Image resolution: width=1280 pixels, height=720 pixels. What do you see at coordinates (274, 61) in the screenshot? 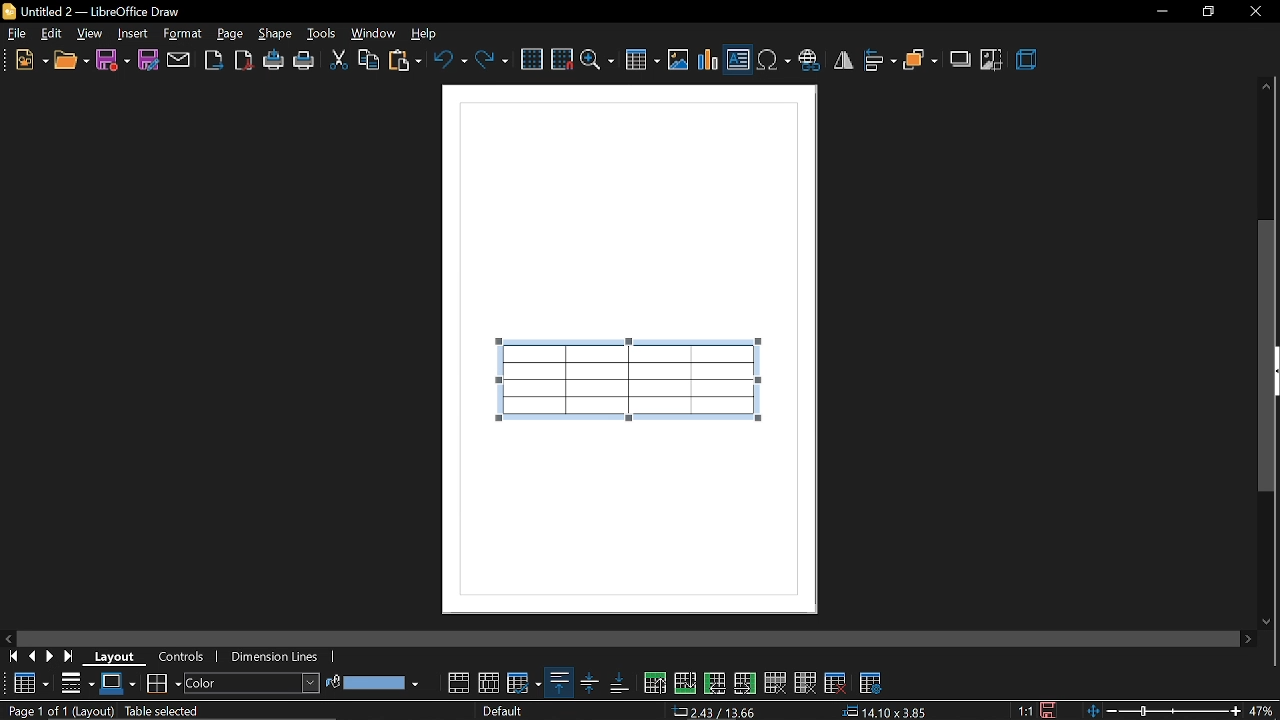
I see `print directly` at bounding box center [274, 61].